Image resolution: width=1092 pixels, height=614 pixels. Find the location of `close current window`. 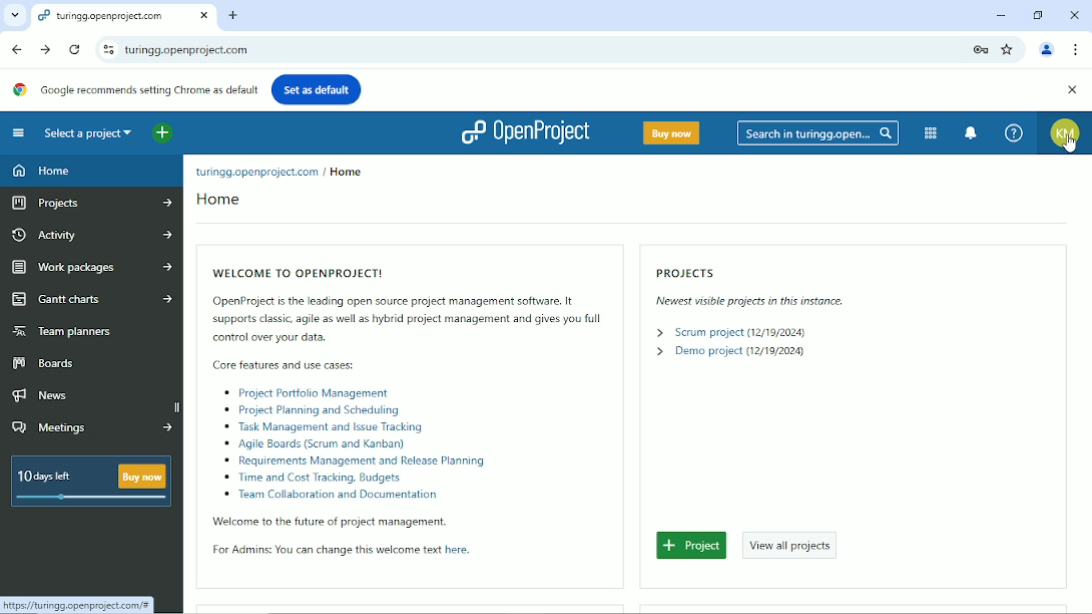

close current window is located at coordinates (204, 16).